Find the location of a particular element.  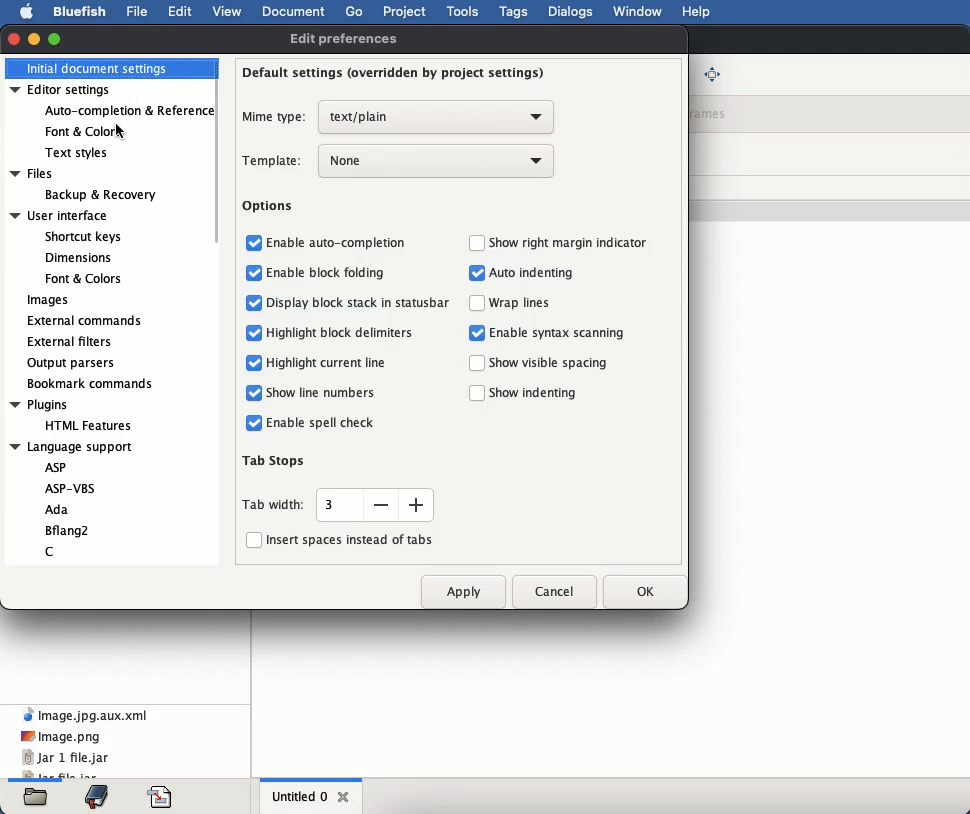

plugins  is located at coordinates (76, 415).